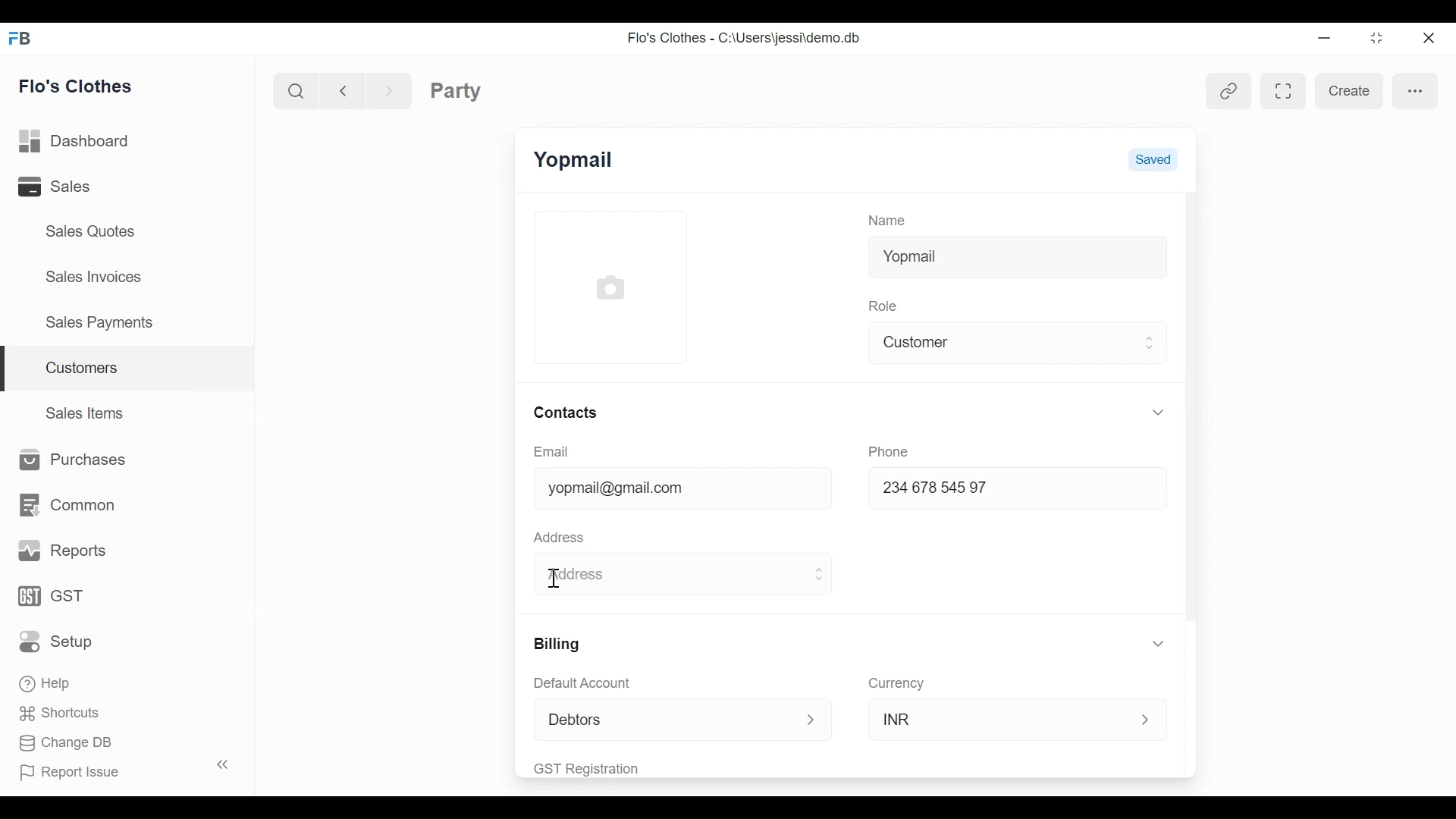  Describe the element at coordinates (92, 231) in the screenshot. I see `Sales Quotes` at that location.